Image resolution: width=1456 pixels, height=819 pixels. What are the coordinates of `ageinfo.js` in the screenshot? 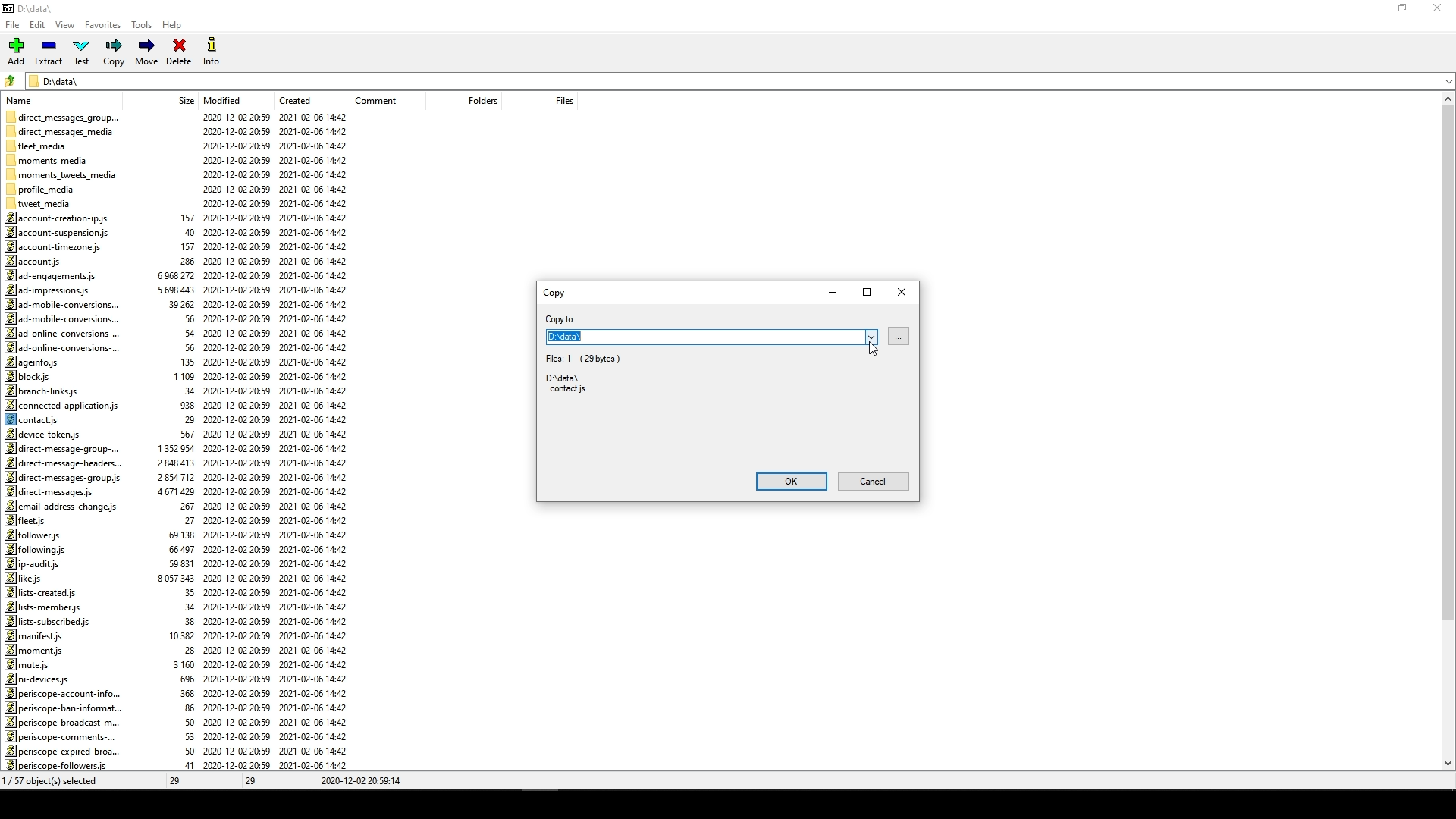 It's located at (33, 362).